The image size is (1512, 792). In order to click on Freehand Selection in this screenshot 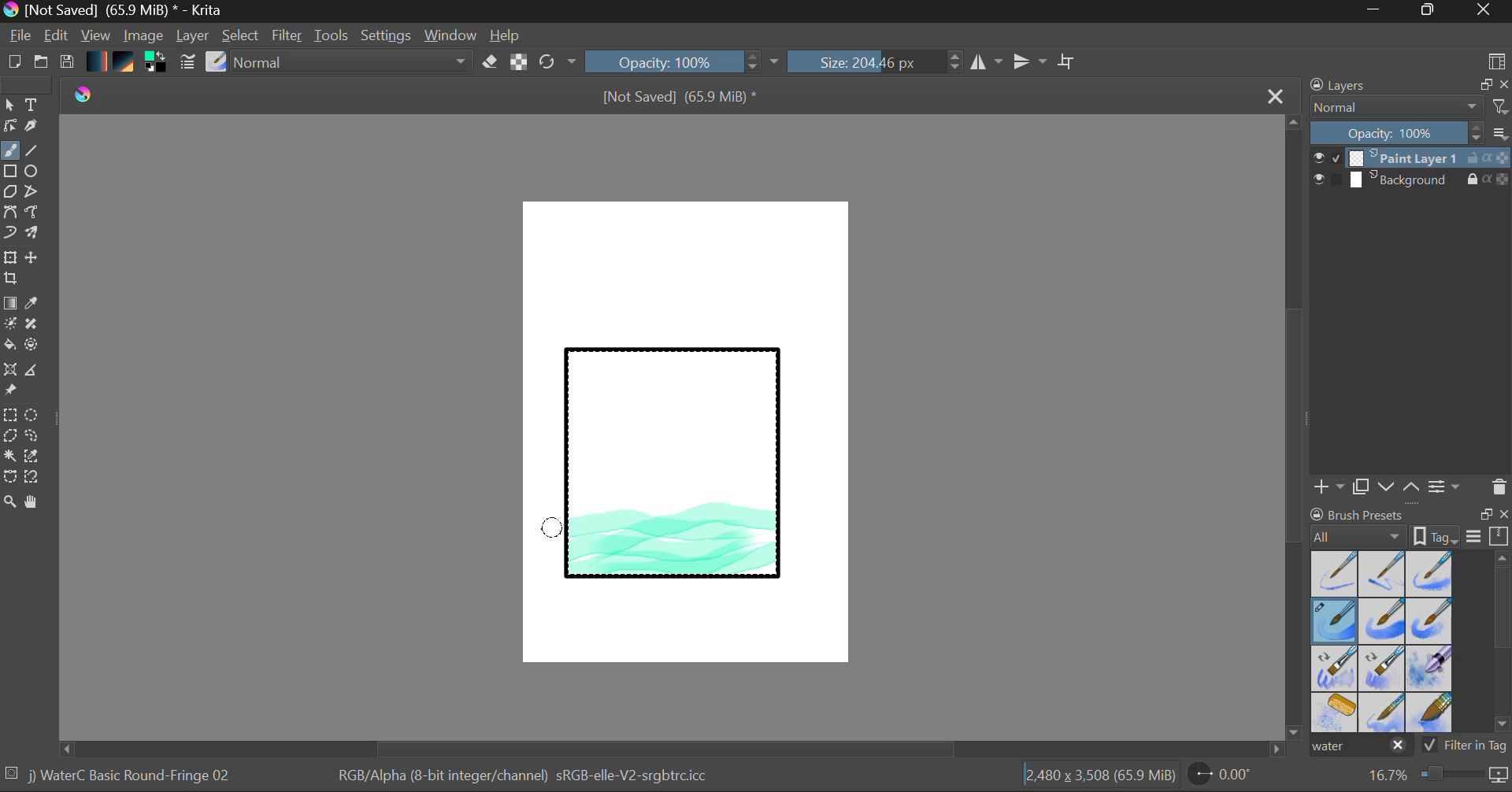, I will do `click(32, 438)`.